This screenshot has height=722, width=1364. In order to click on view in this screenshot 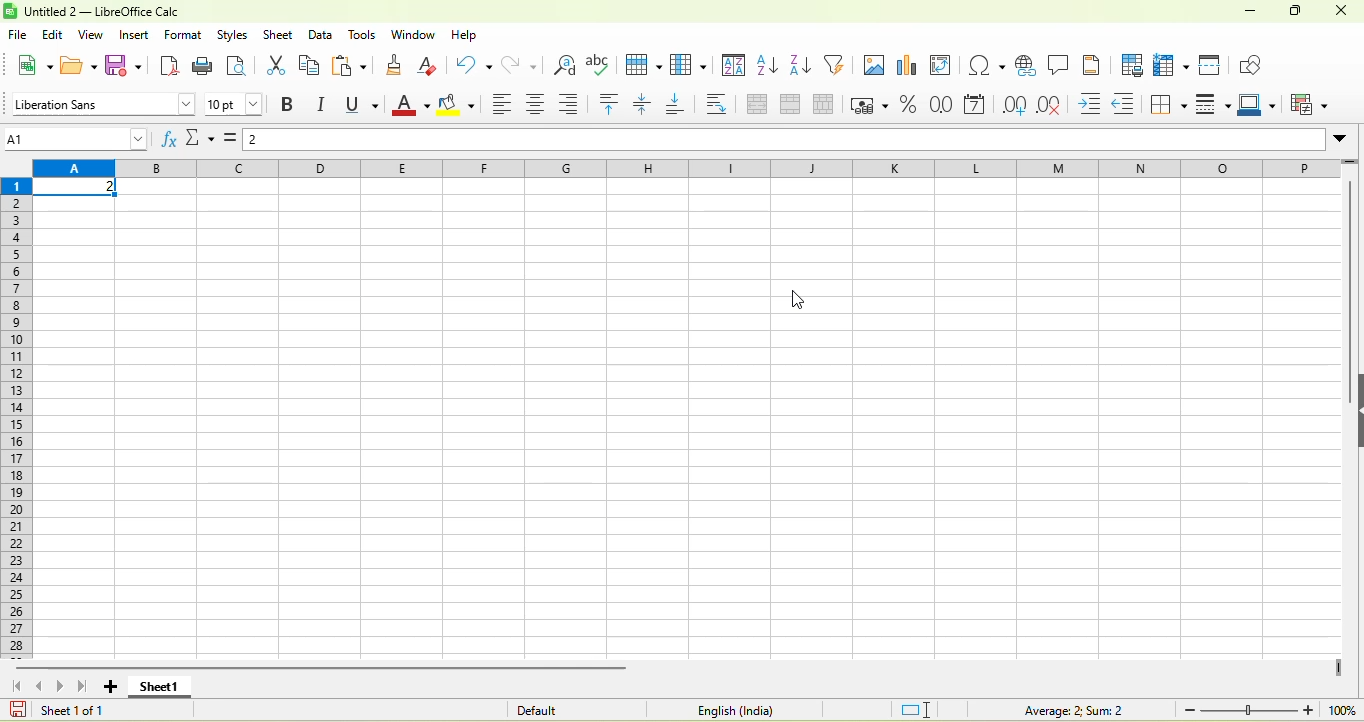, I will do `click(94, 35)`.